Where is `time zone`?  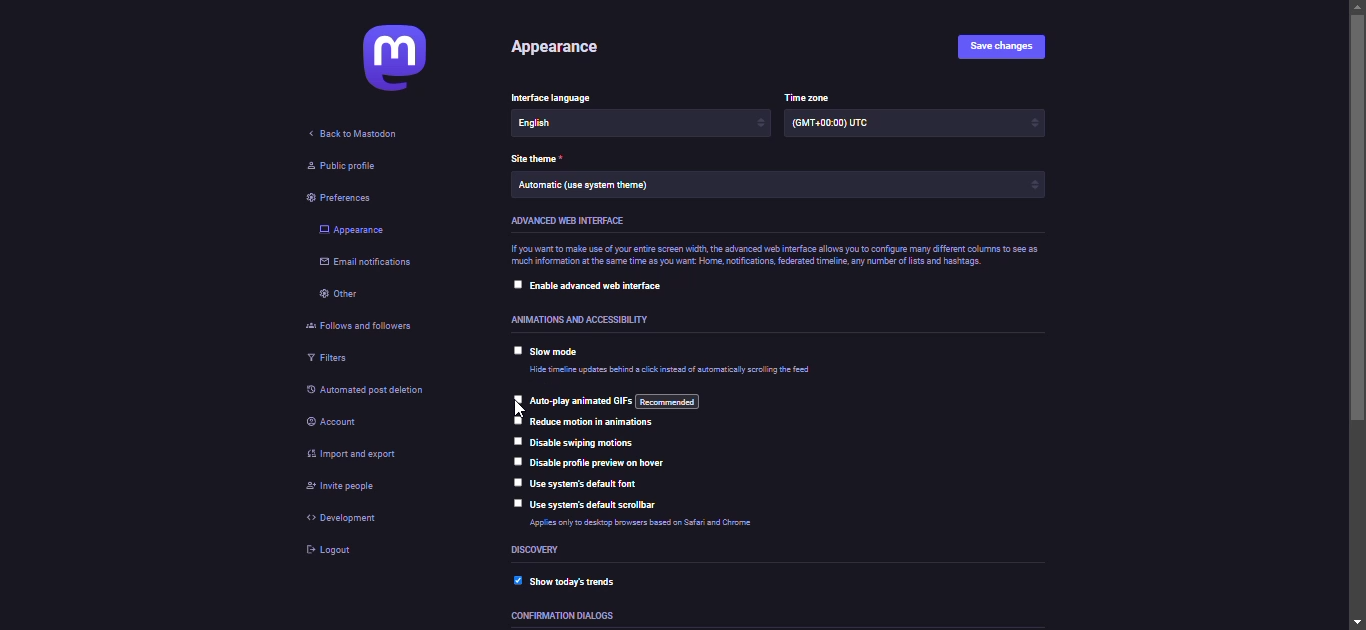 time zone is located at coordinates (844, 125).